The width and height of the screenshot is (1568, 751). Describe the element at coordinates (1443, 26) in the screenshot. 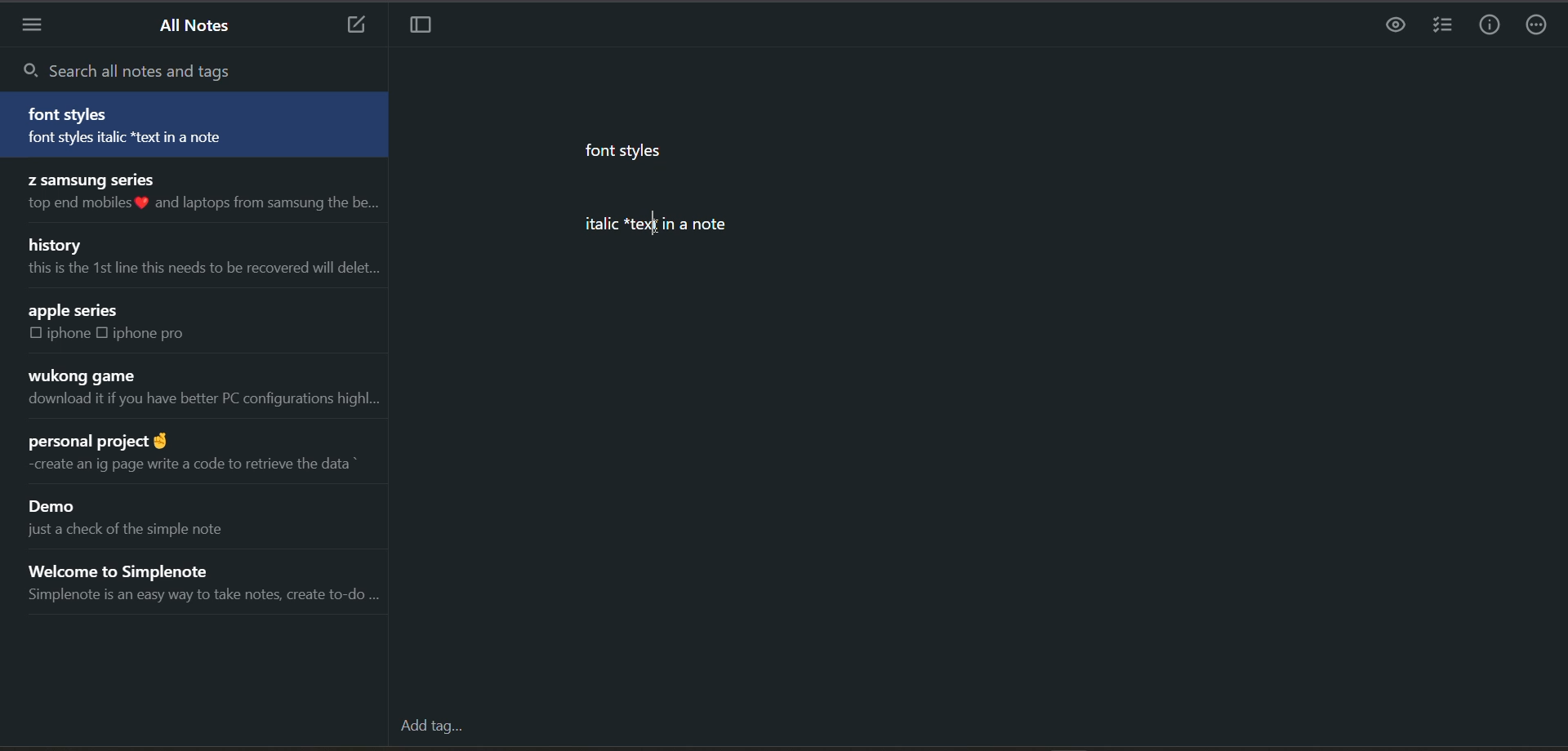

I see `insert checklist` at that location.